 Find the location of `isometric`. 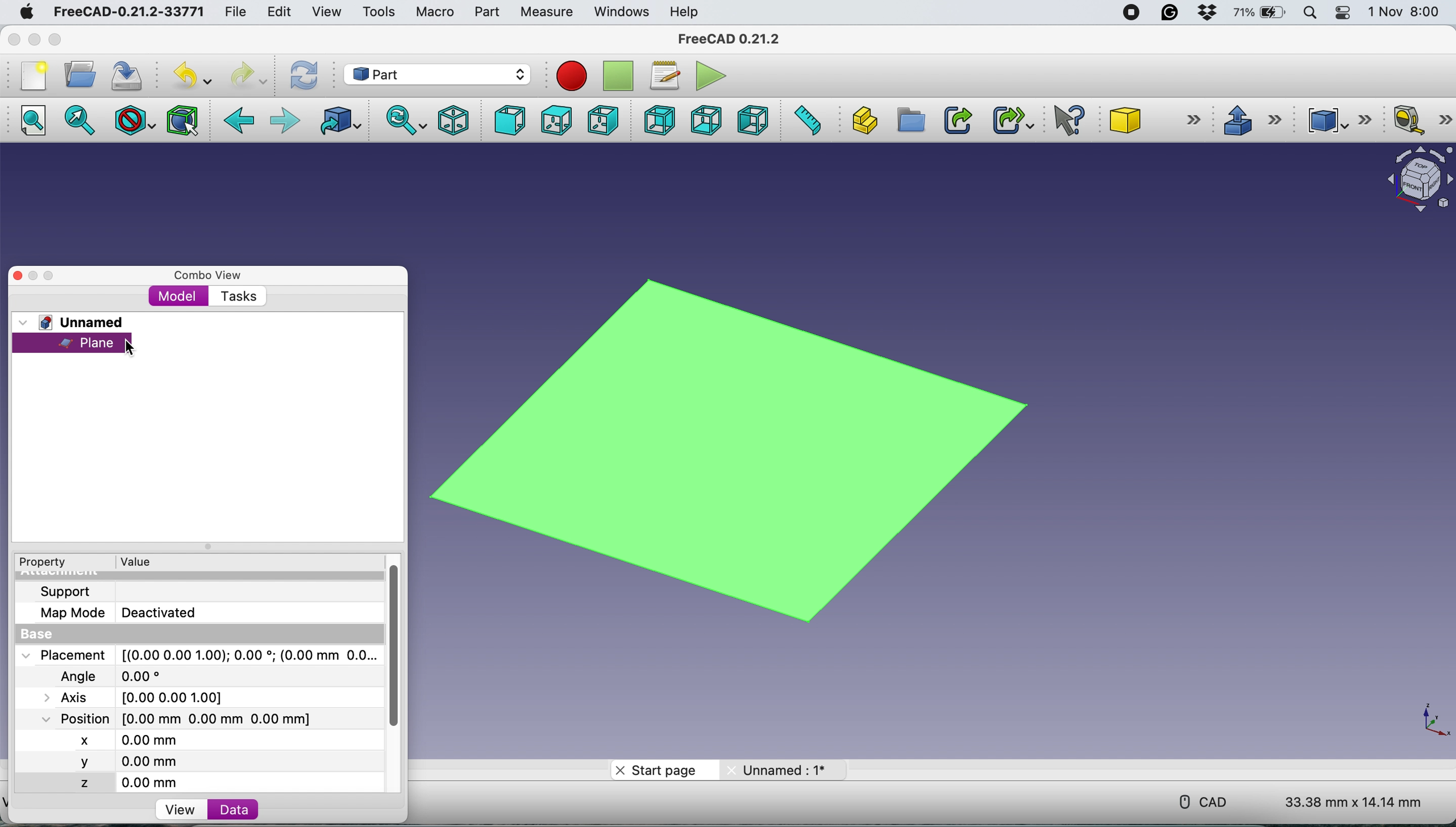

isometric is located at coordinates (452, 122).